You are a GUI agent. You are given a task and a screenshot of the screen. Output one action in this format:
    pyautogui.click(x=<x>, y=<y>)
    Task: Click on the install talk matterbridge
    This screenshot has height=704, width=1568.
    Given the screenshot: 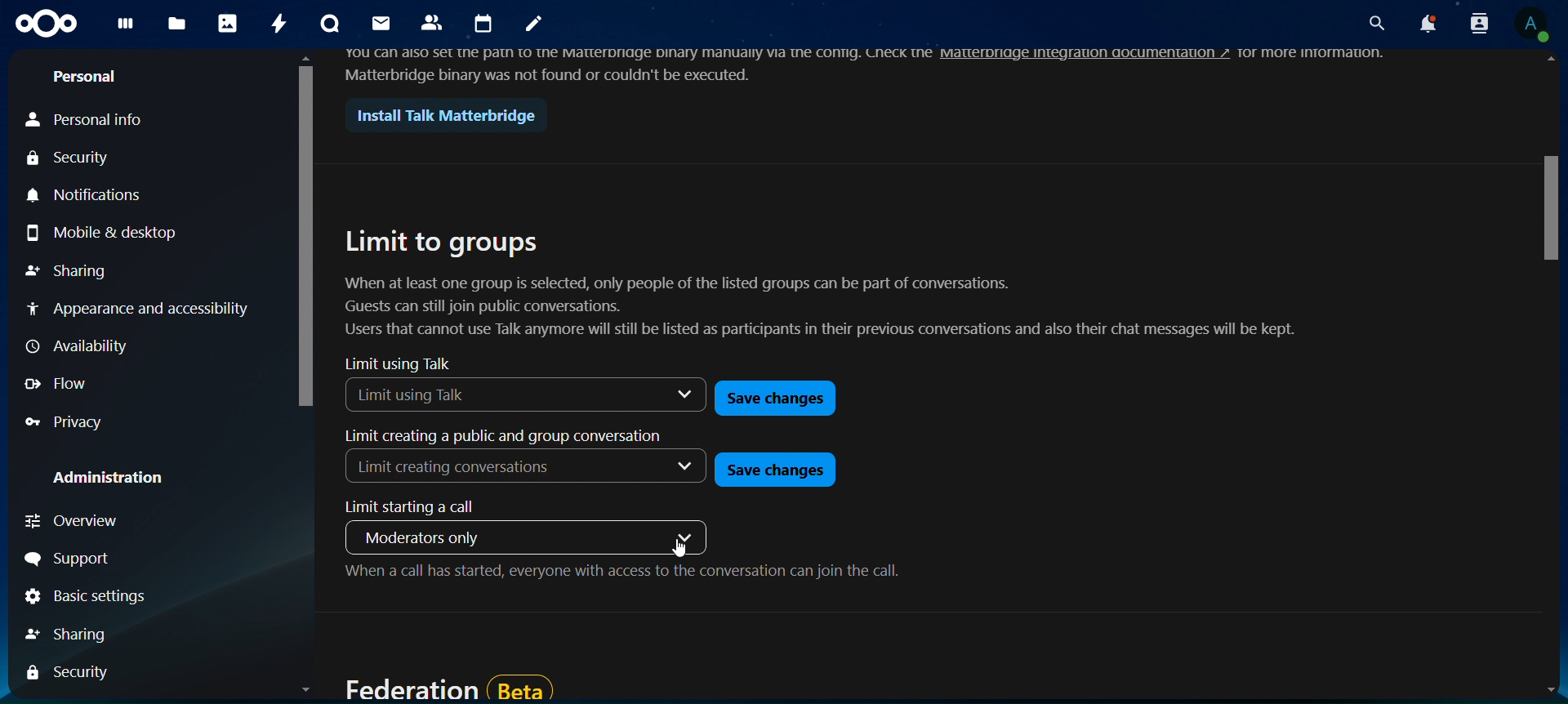 What is the action you would take?
    pyautogui.click(x=439, y=116)
    